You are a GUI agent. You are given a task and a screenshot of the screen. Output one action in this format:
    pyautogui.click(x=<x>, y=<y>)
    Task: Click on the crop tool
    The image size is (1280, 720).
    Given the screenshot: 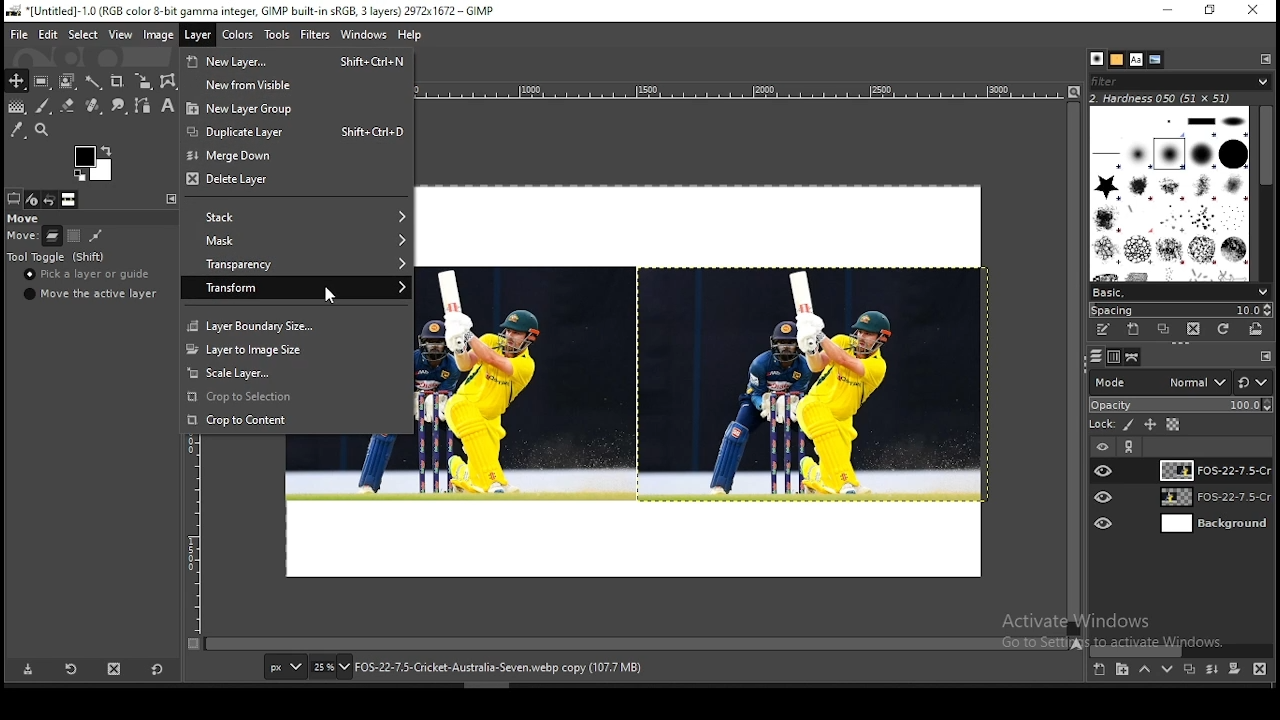 What is the action you would take?
    pyautogui.click(x=140, y=82)
    